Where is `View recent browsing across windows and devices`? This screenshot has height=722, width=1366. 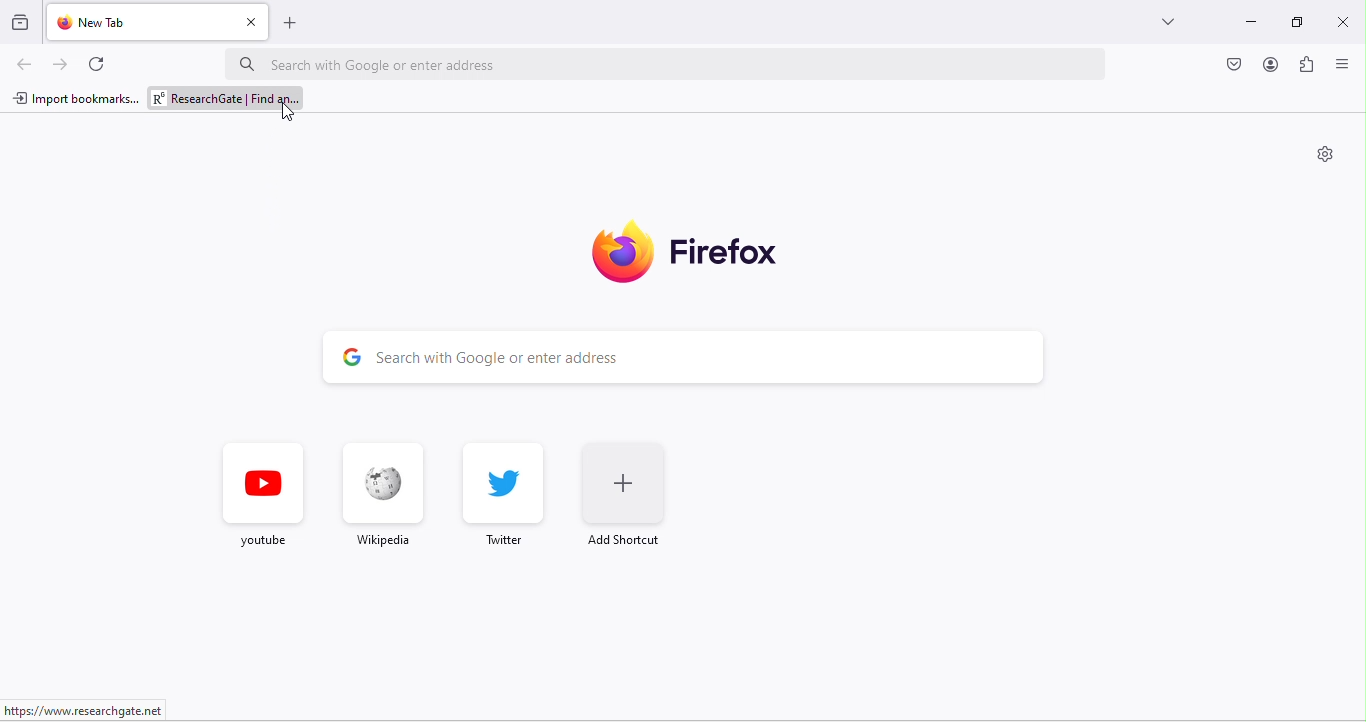
View recent browsing across windows and devices is located at coordinates (22, 25).